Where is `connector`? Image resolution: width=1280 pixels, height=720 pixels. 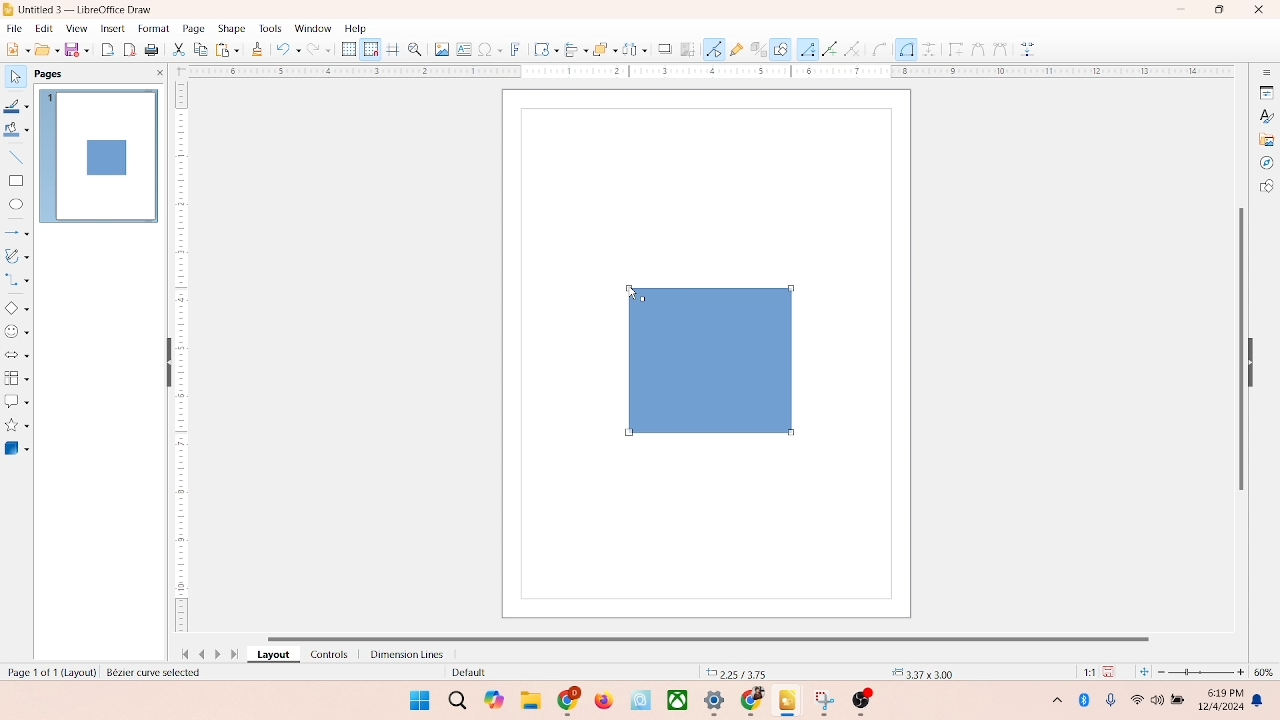 connector is located at coordinates (18, 280).